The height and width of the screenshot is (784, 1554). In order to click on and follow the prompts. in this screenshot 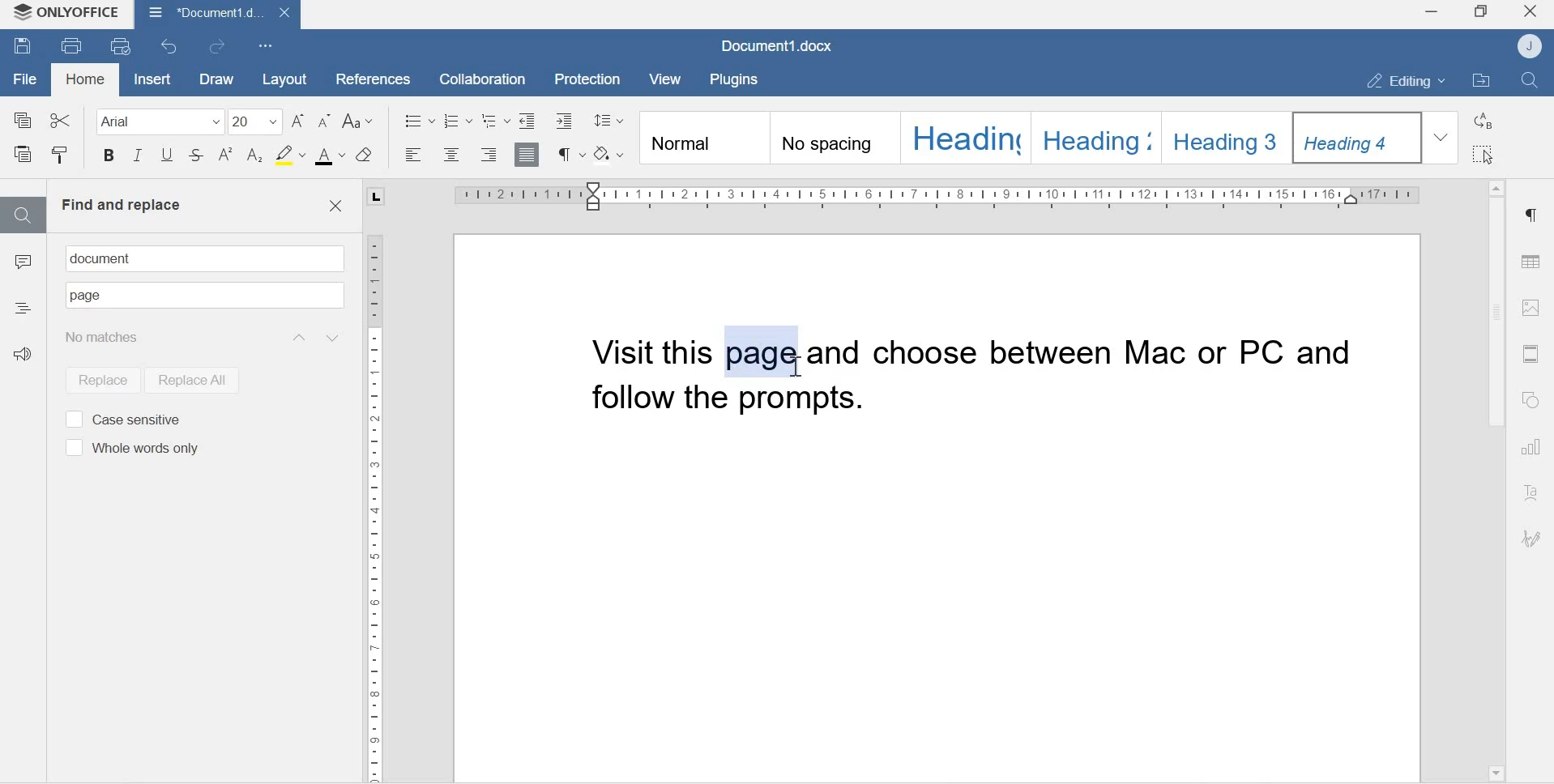, I will do `click(776, 404)`.